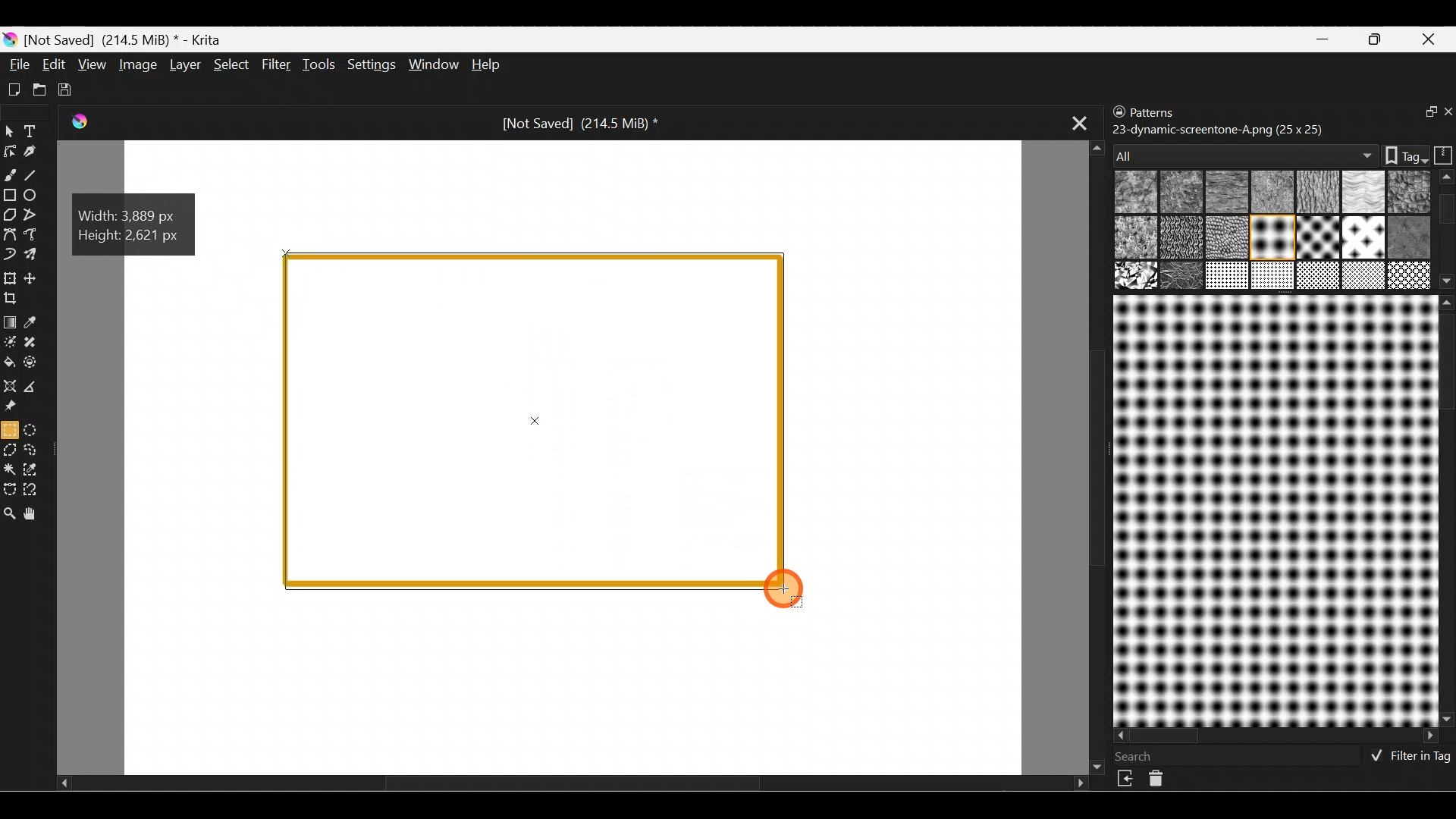 This screenshot has height=819, width=1456. What do you see at coordinates (431, 64) in the screenshot?
I see `Window` at bounding box center [431, 64].